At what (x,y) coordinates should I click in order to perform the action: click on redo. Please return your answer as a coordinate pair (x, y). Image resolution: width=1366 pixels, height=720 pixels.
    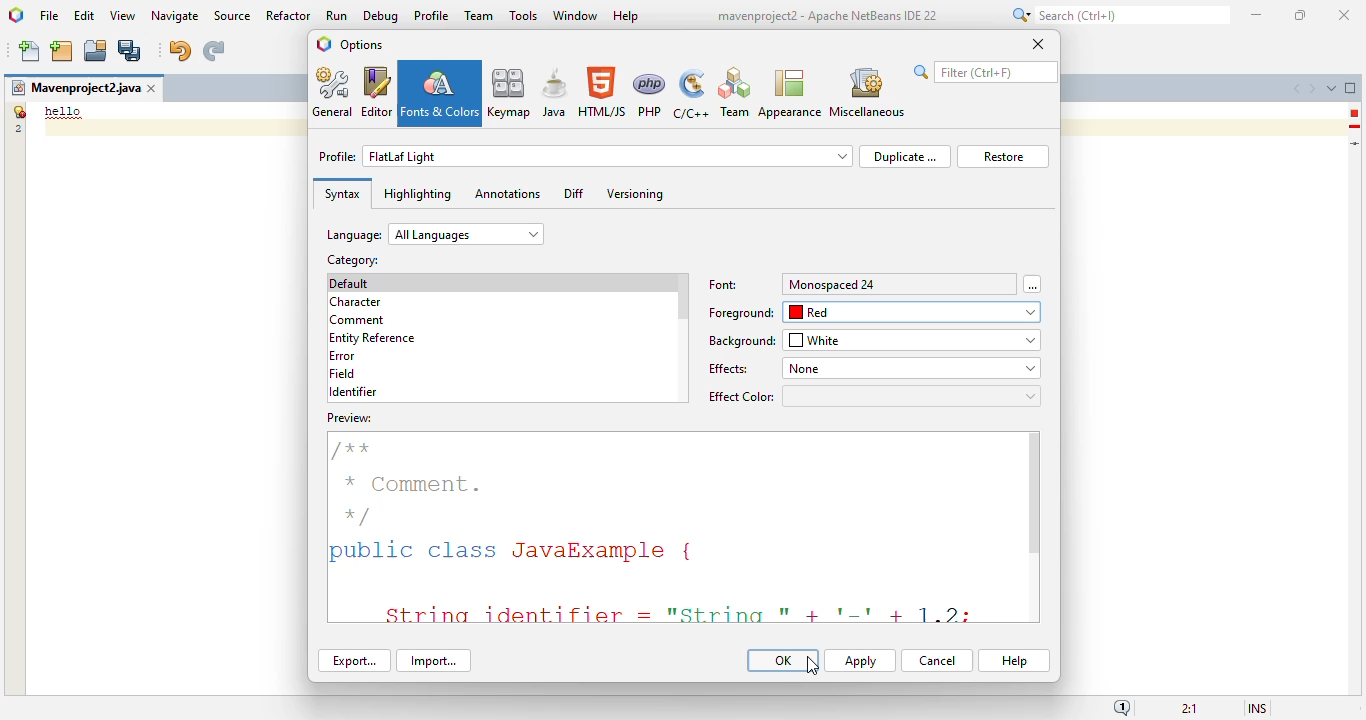
    Looking at the image, I should click on (213, 51).